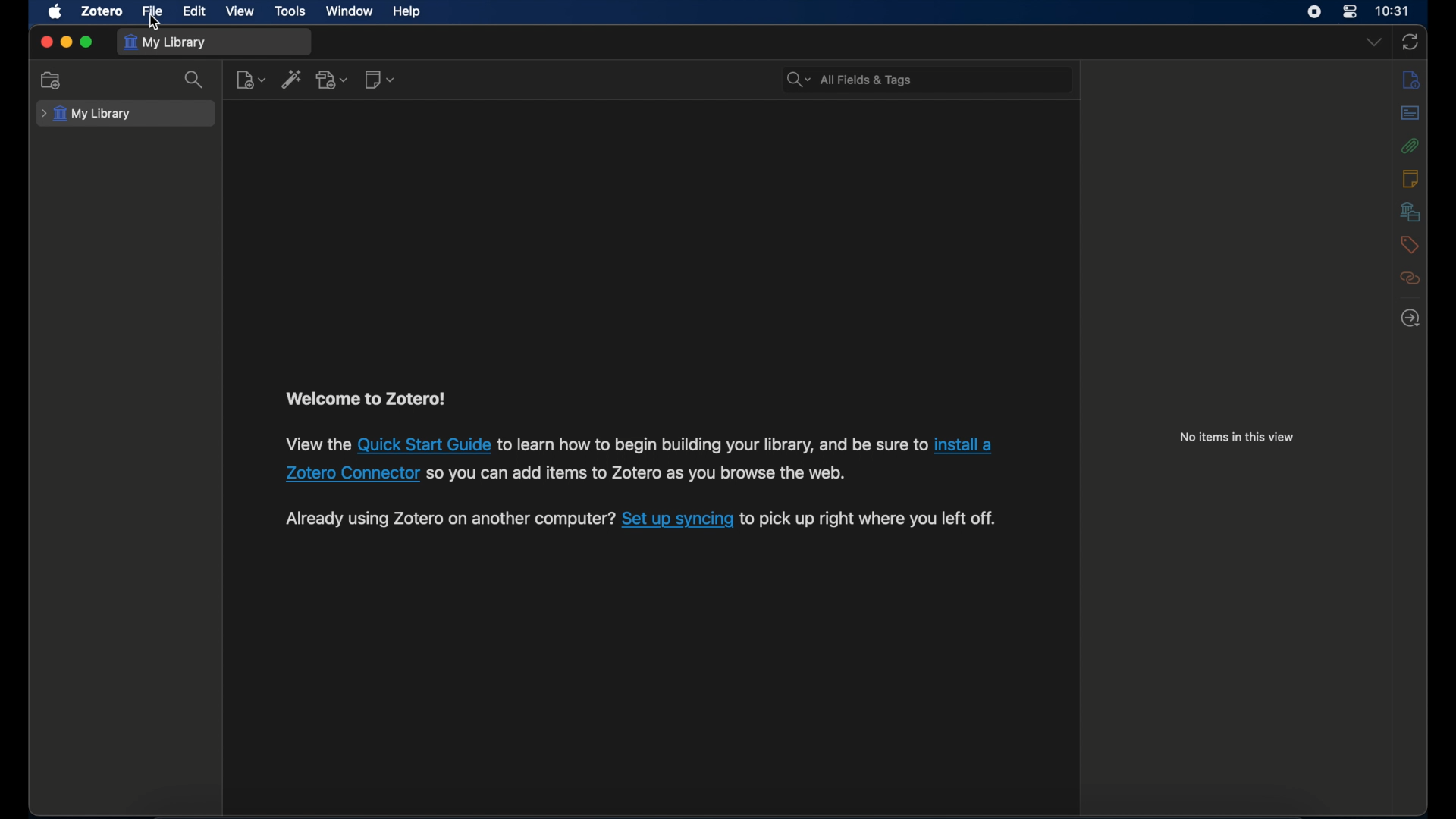 This screenshot has height=819, width=1456. What do you see at coordinates (424, 447) in the screenshot?
I see `link` at bounding box center [424, 447].